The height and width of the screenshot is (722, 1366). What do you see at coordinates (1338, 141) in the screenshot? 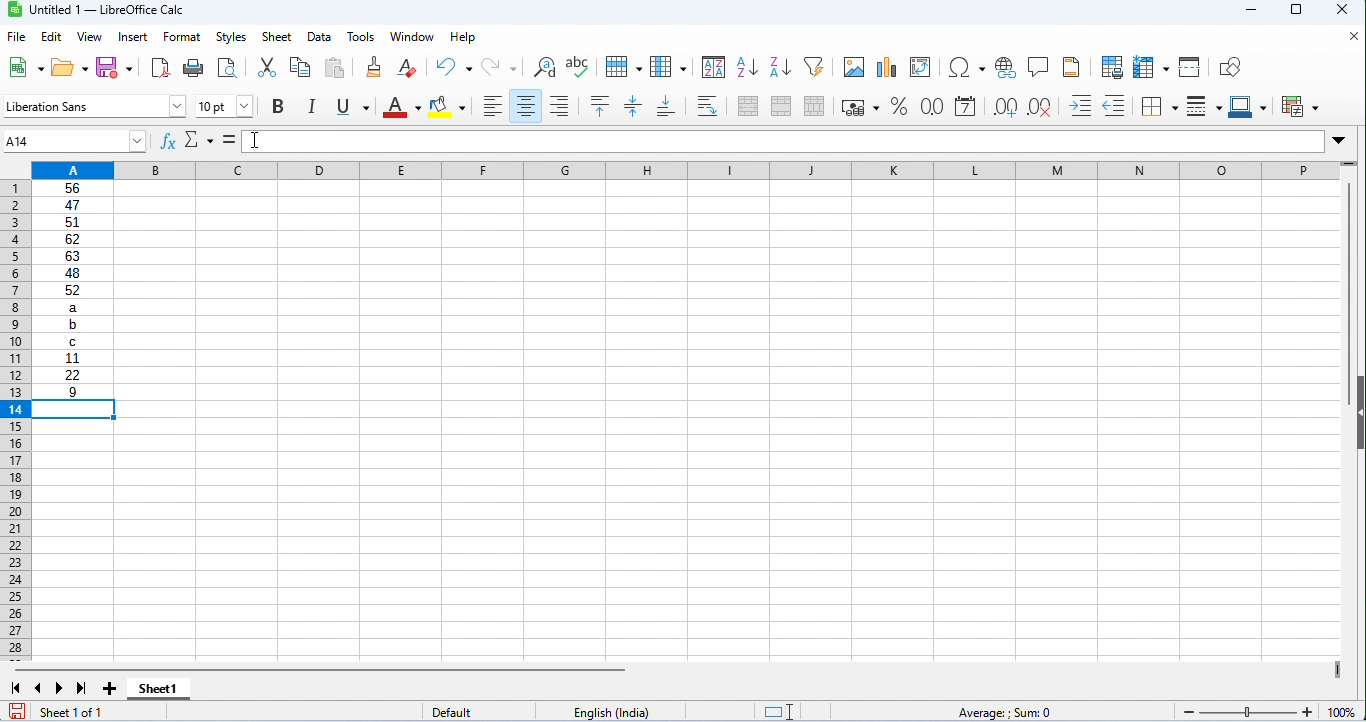
I see `Expand/Collapse` at bounding box center [1338, 141].